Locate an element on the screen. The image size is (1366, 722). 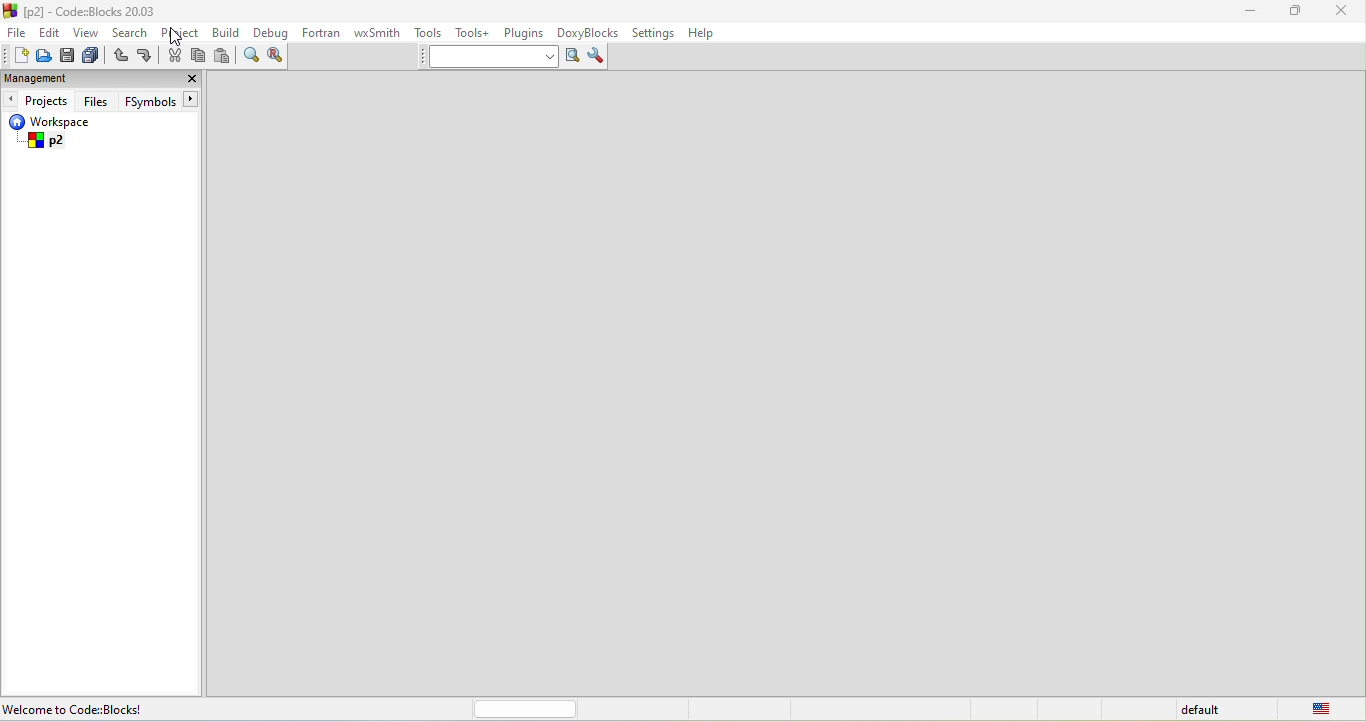
close is located at coordinates (1341, 15).